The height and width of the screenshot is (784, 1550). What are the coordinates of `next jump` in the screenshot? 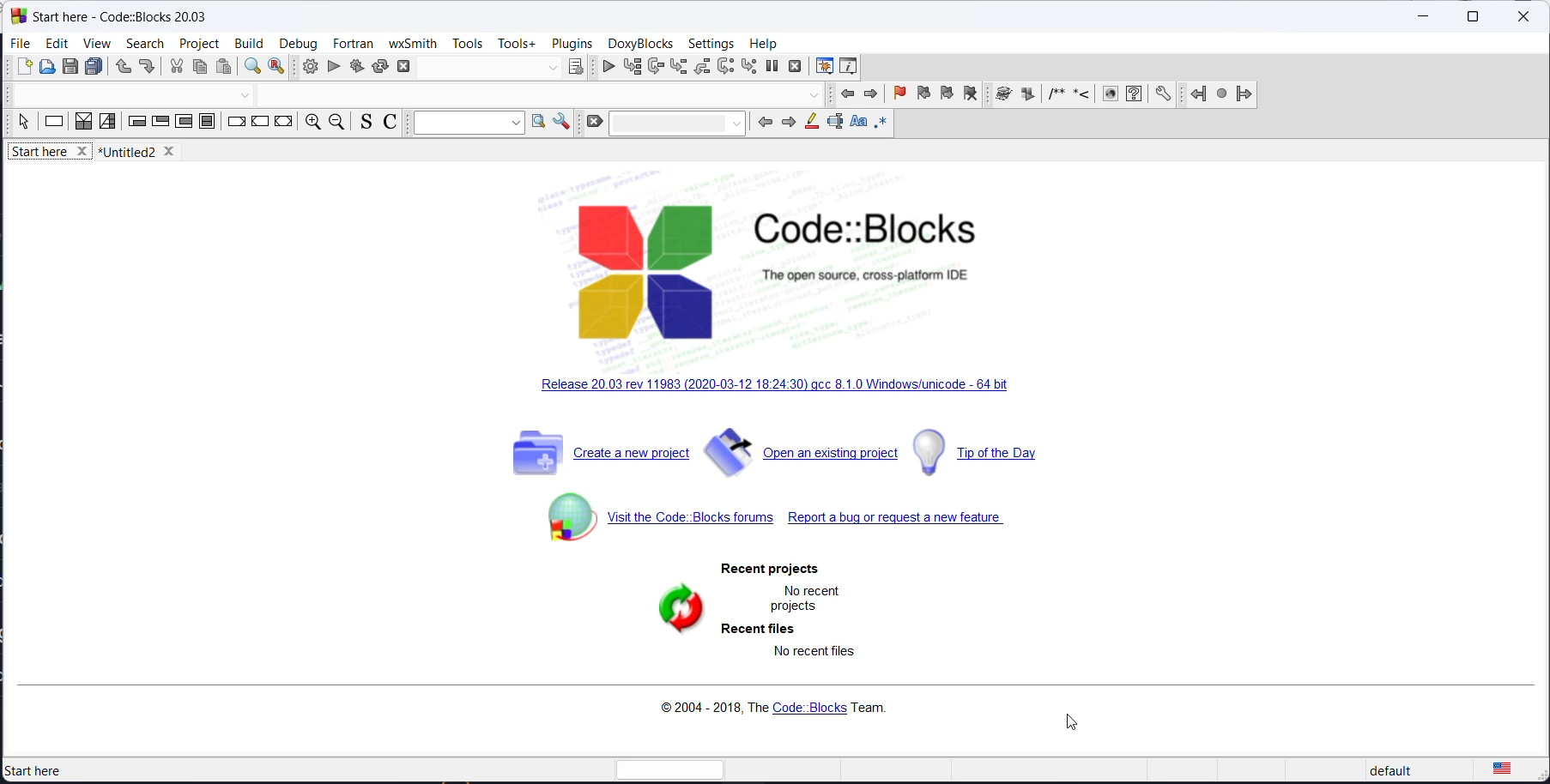 It's located at (1220, 96).